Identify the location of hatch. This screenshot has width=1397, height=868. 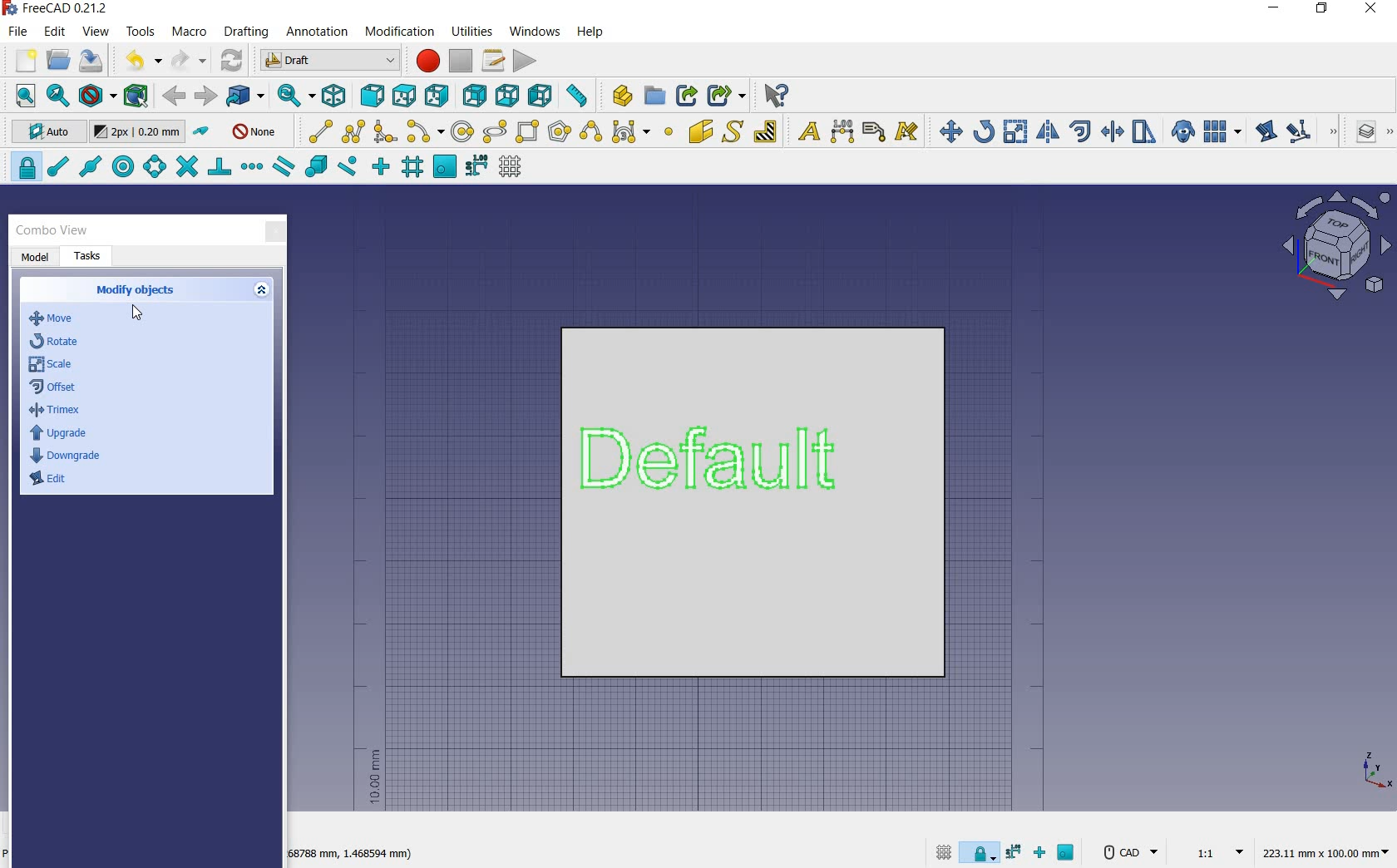
(766, 131).